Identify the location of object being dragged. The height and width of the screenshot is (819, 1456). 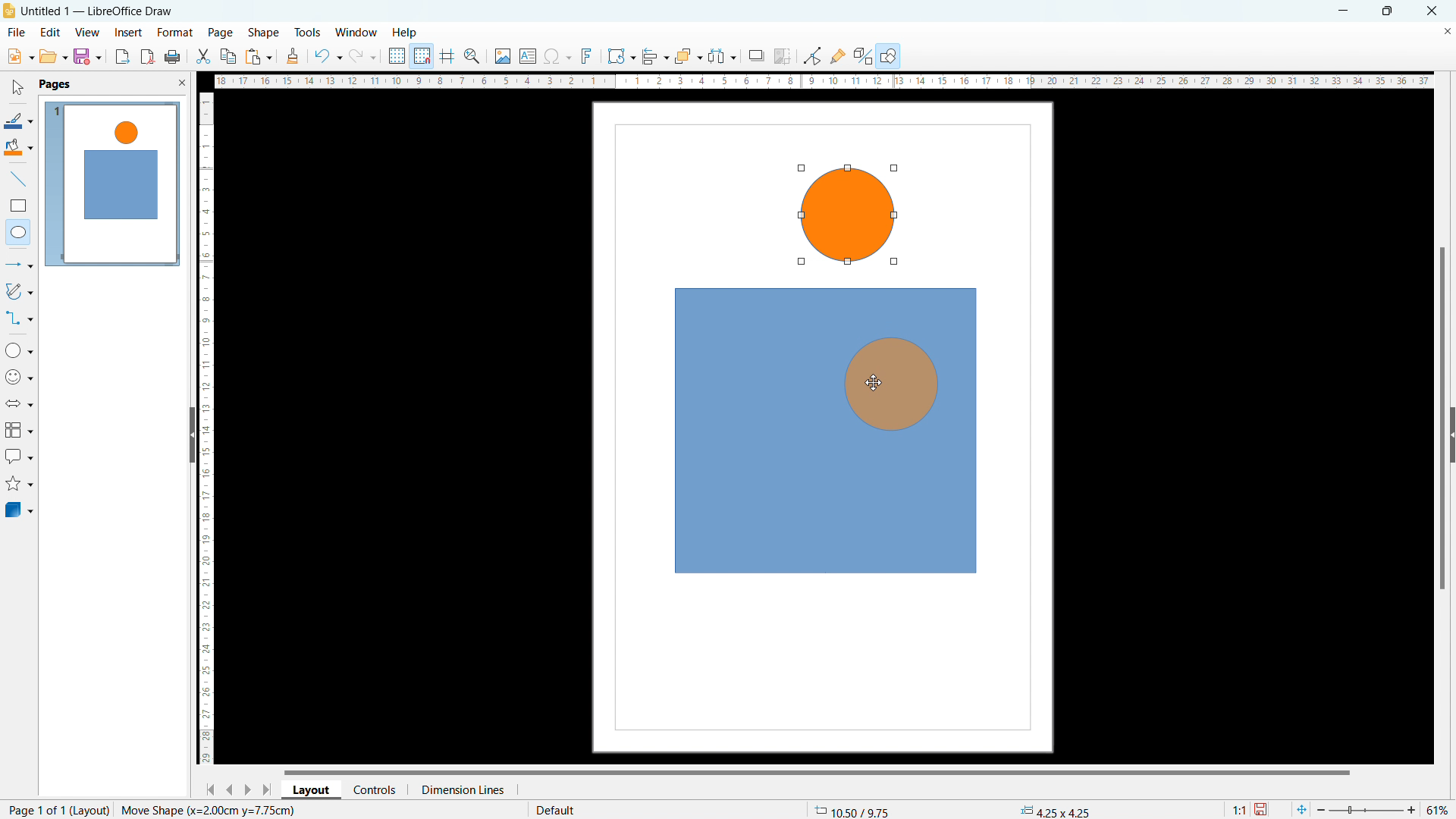
(881, 384).